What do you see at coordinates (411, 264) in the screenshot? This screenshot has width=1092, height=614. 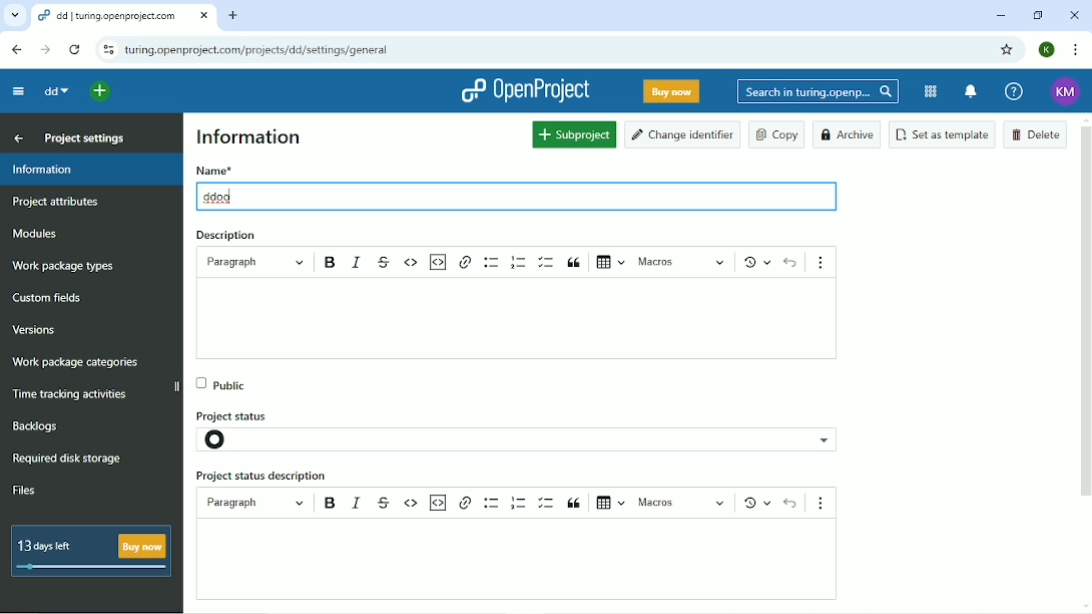 I see `Code` at bounding box center [411, 264].